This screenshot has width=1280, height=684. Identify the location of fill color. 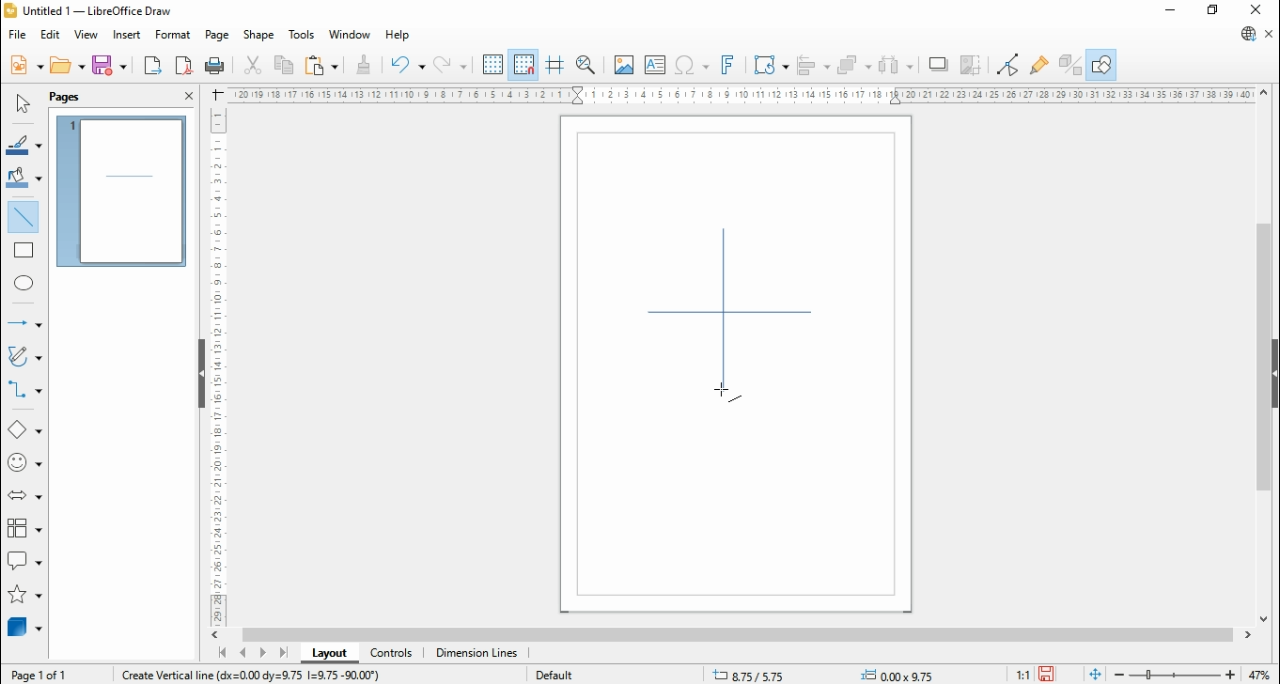
(24, 177).